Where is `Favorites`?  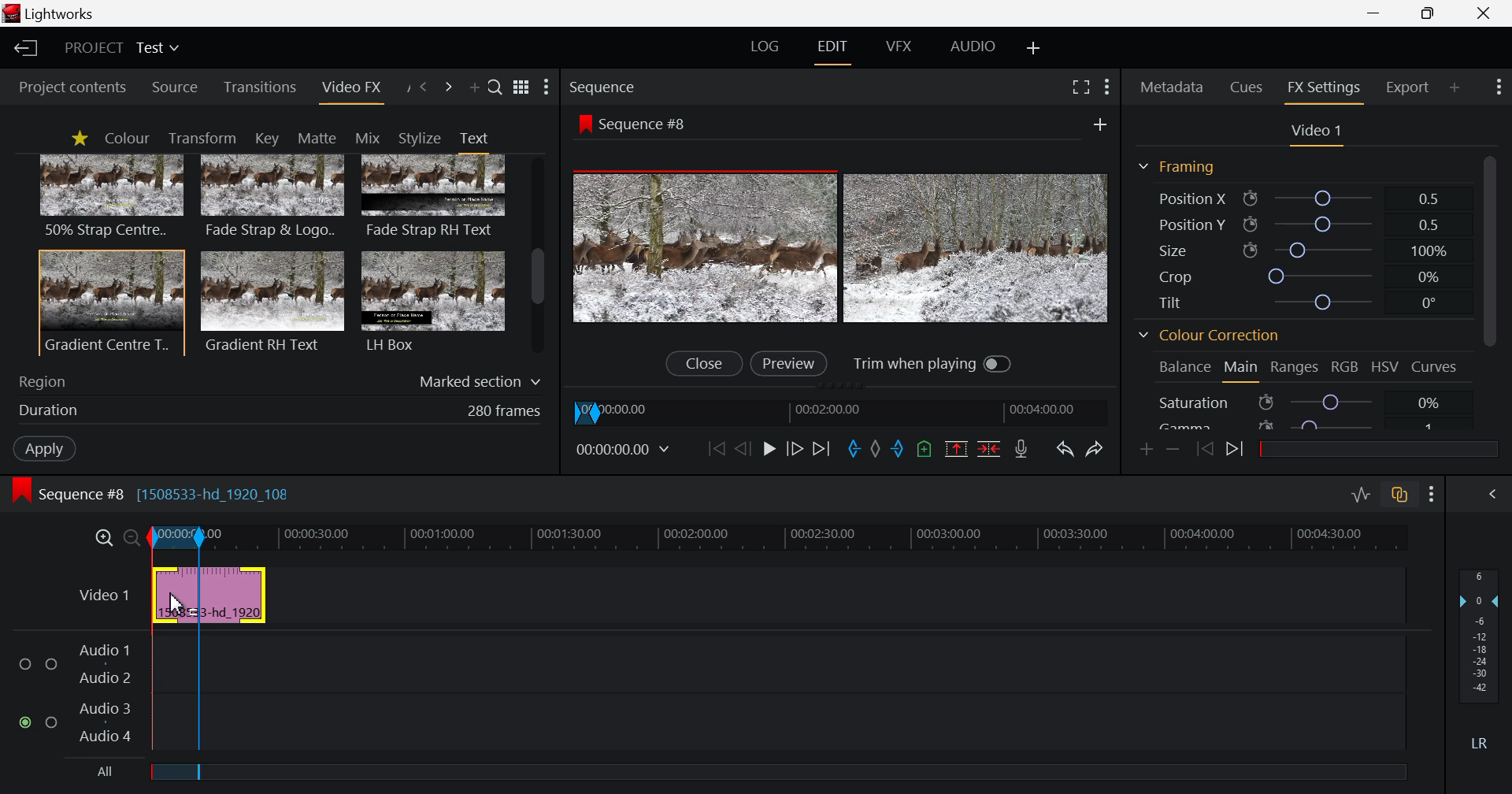
Favorites is located at coordinates (79, 138).